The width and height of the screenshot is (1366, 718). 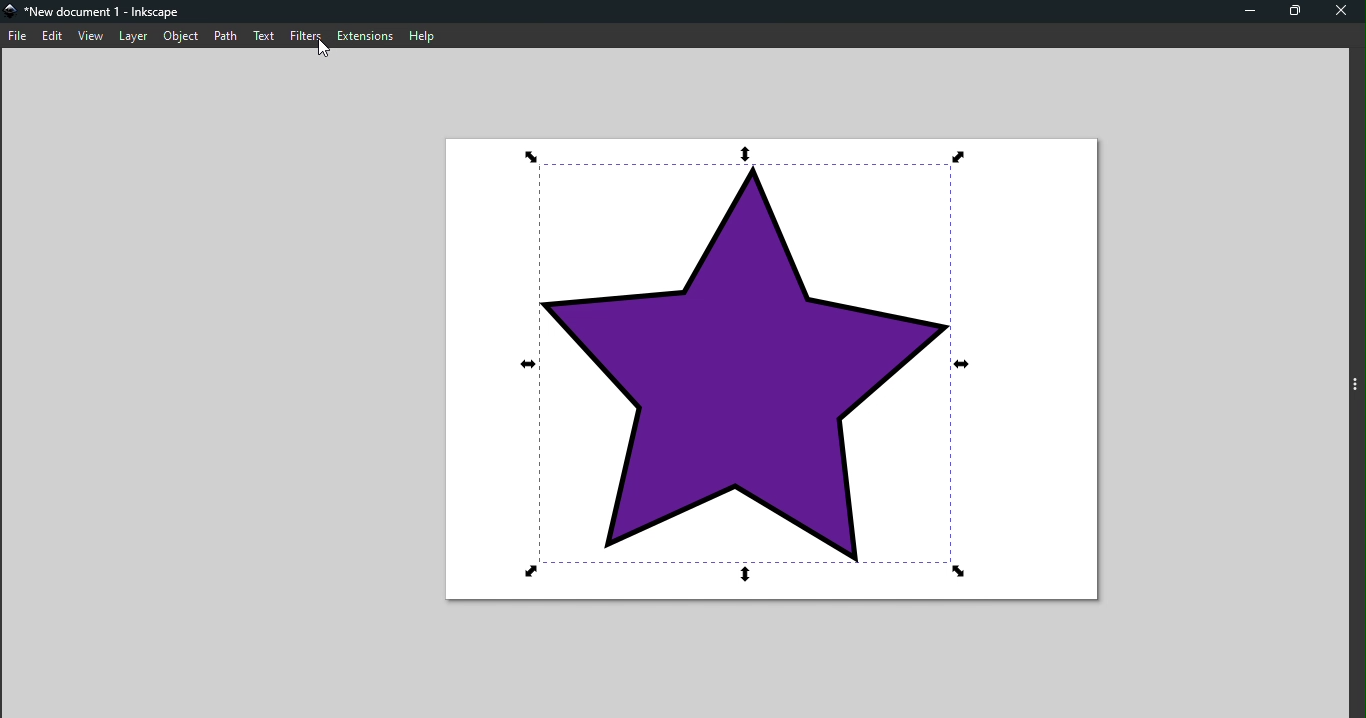 What do you see at coordinates (1358, 386) in the screenshot?
I see `Toggle command panel` at bounding box center [1358, 386].